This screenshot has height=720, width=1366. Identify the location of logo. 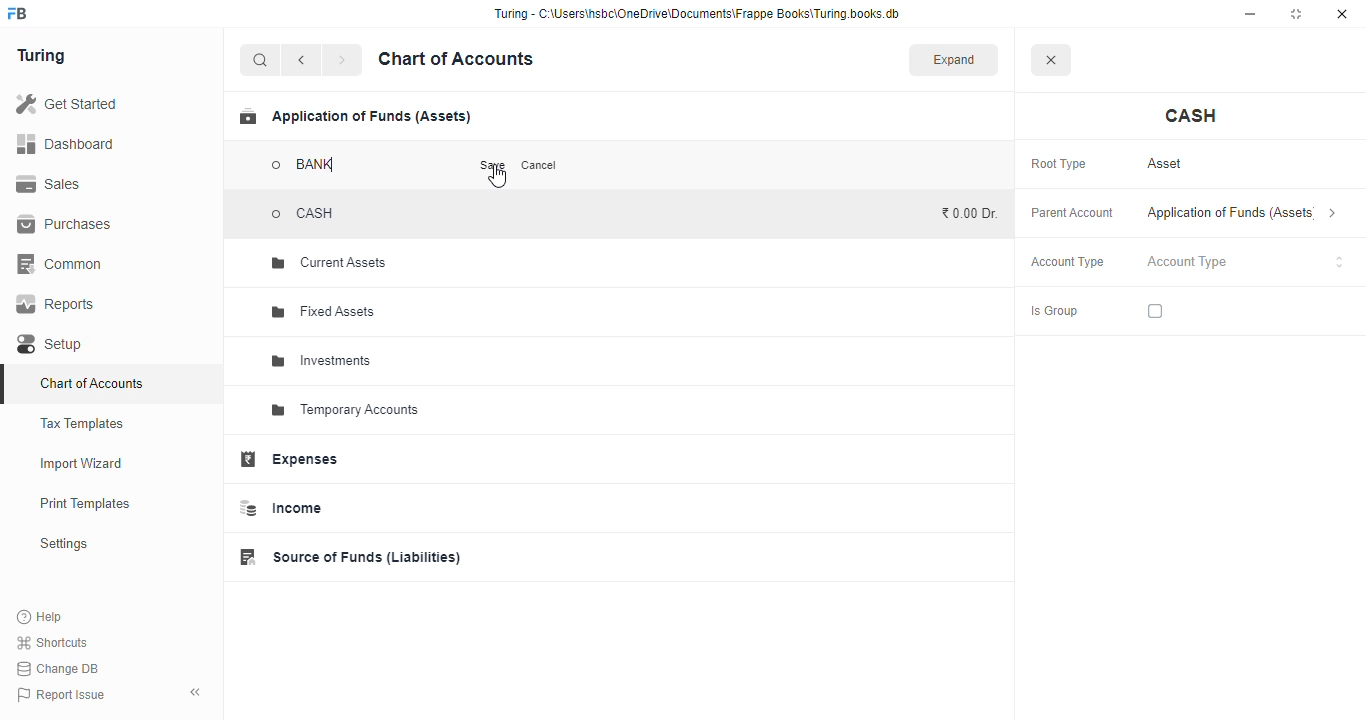
(18, 13).